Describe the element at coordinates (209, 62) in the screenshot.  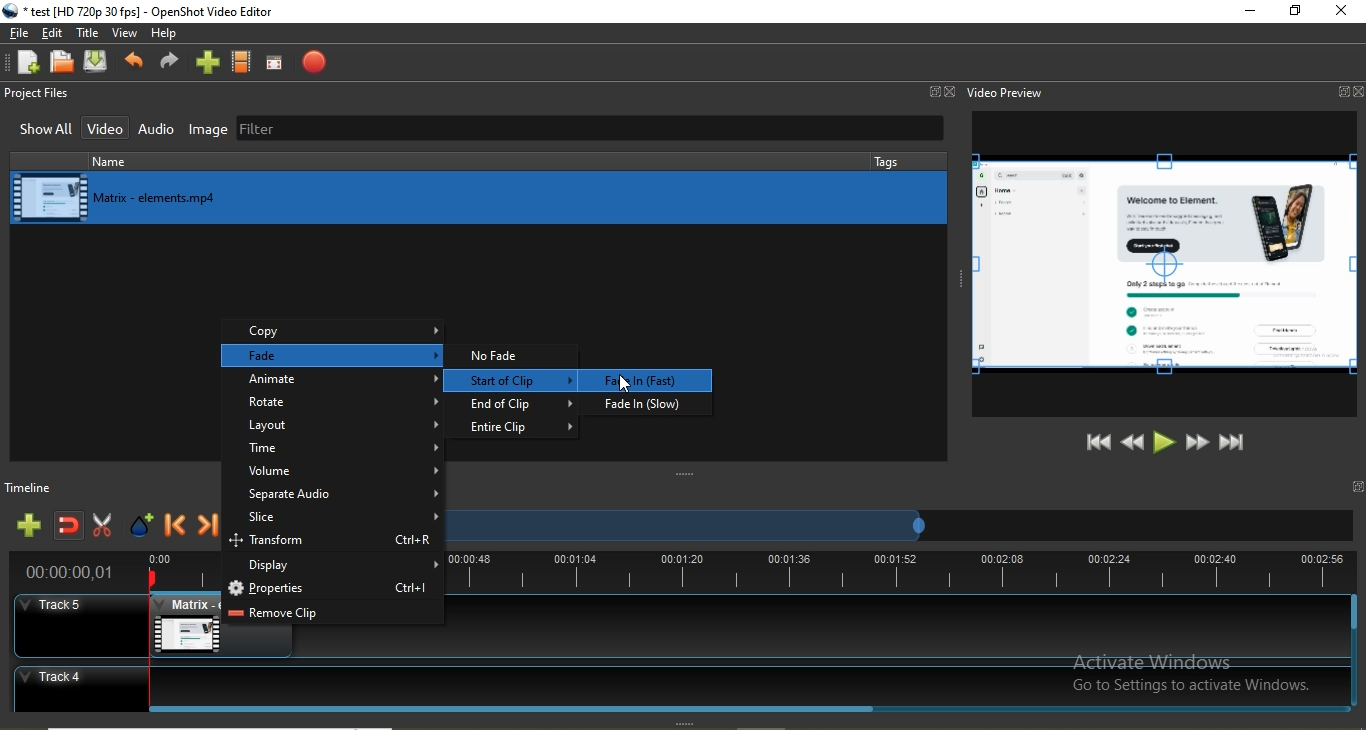
I see `import files` at that location.